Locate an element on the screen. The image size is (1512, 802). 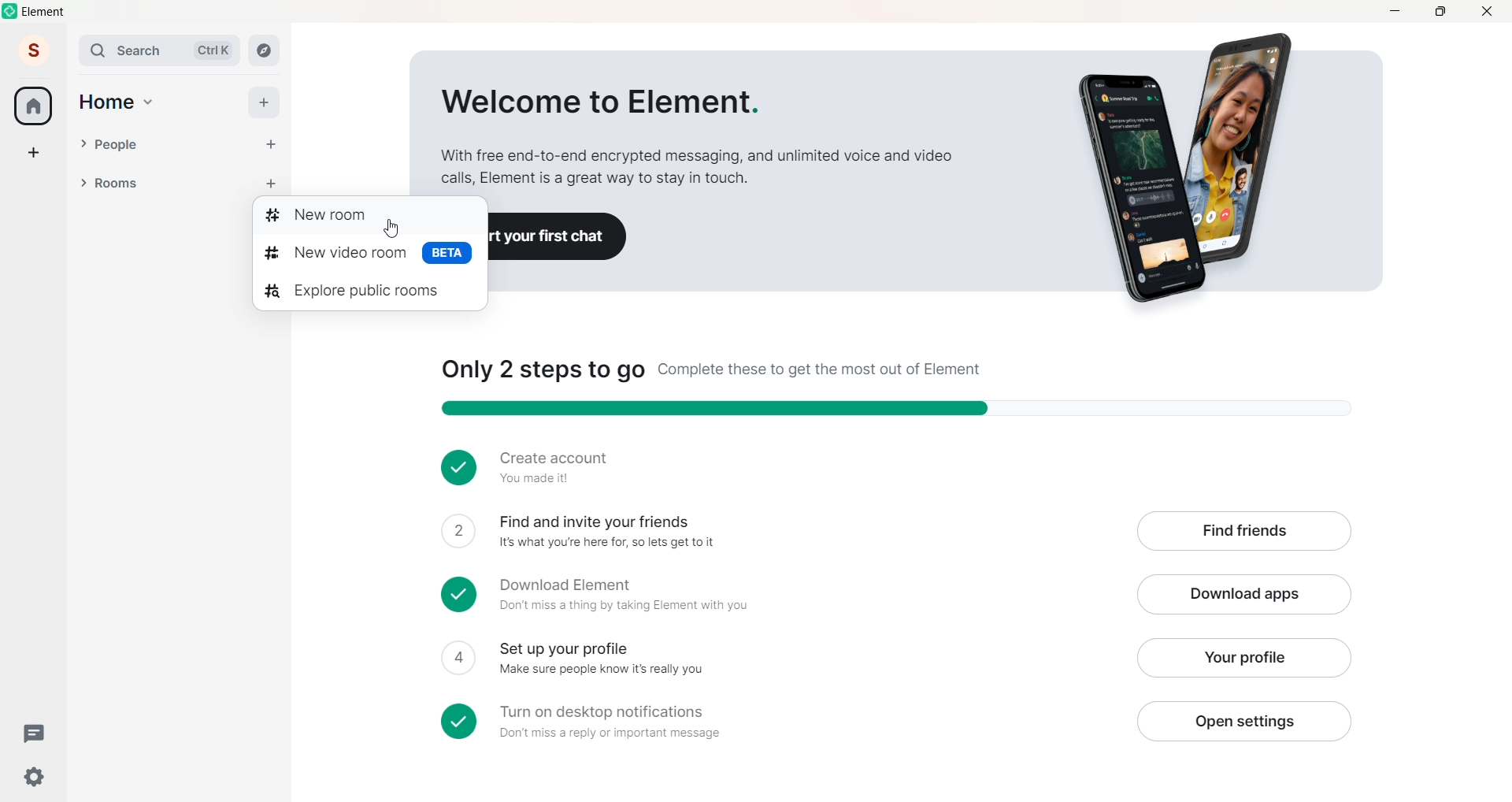
Download Element
Don't miss a thing by taking Element with you is located at coordinates (780, 596).